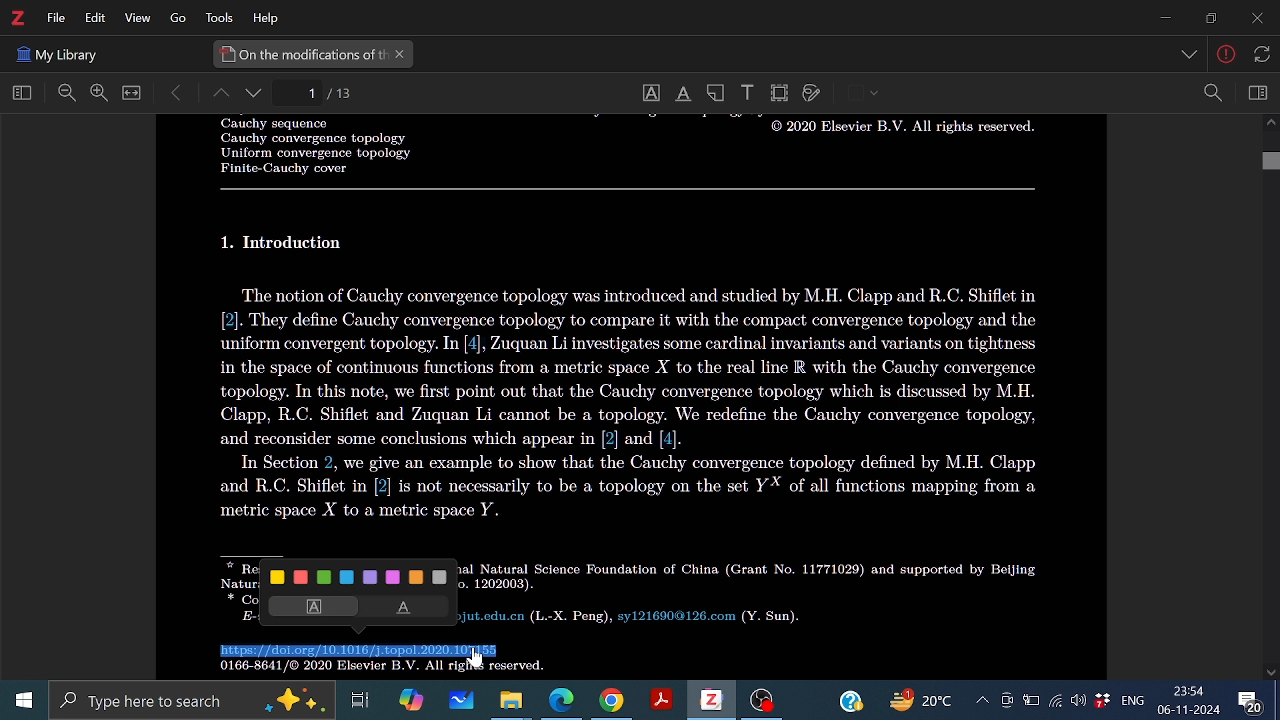  I want to click on Tools, so click(216, 18).